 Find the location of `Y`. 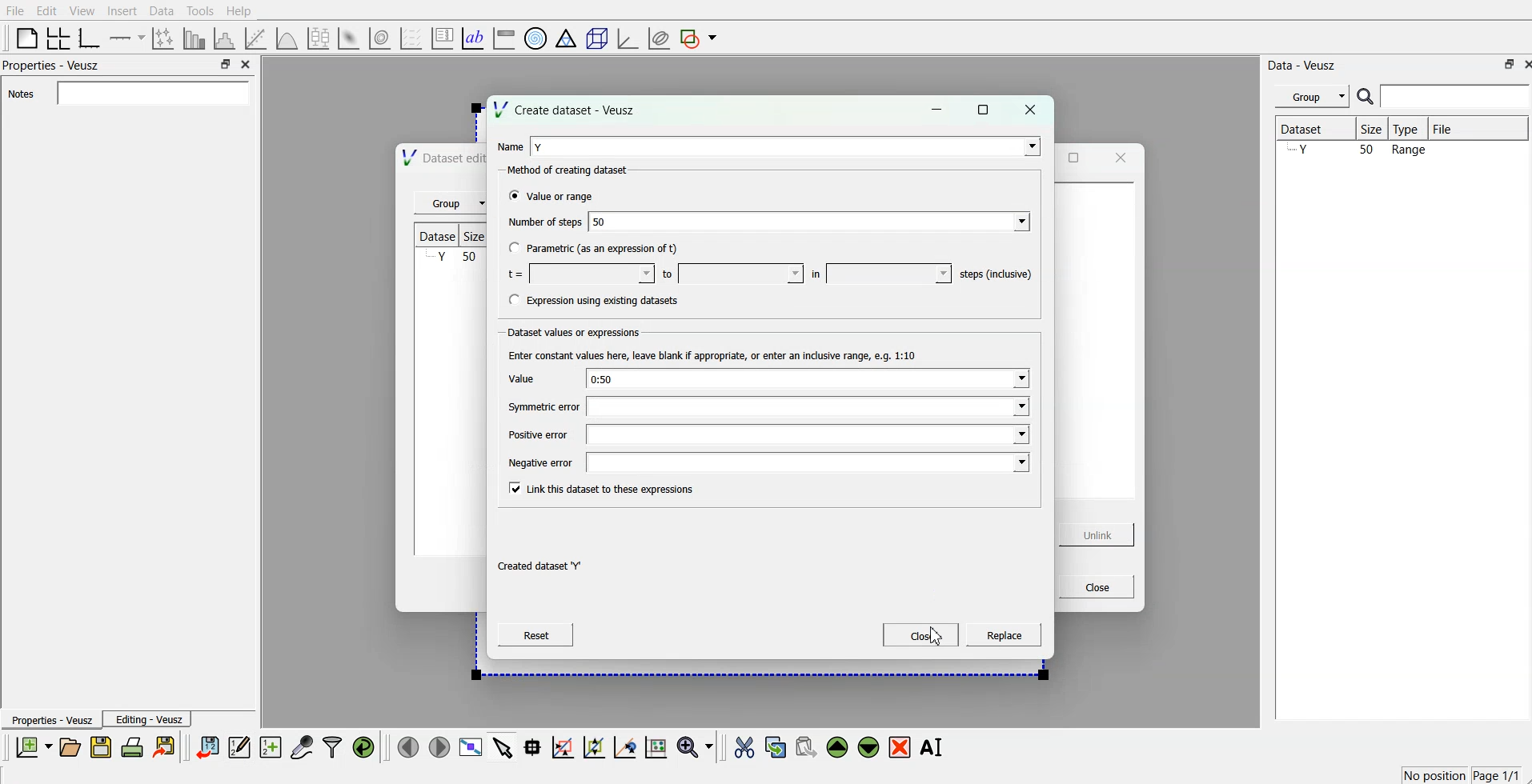

Y is located at coordinates (787, 146).